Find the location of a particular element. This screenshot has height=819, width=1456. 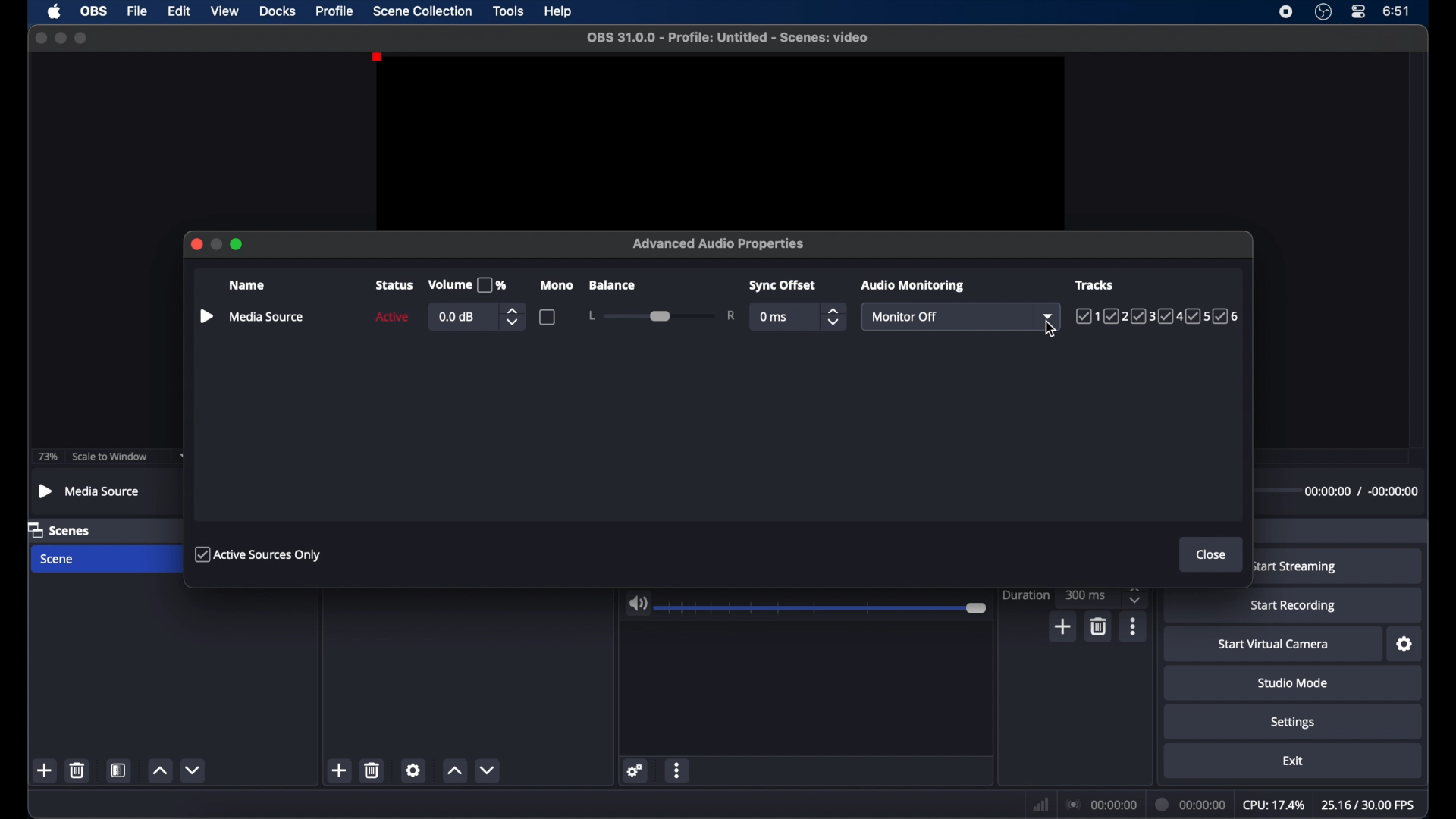

scene is located at coordinates (58, 560).